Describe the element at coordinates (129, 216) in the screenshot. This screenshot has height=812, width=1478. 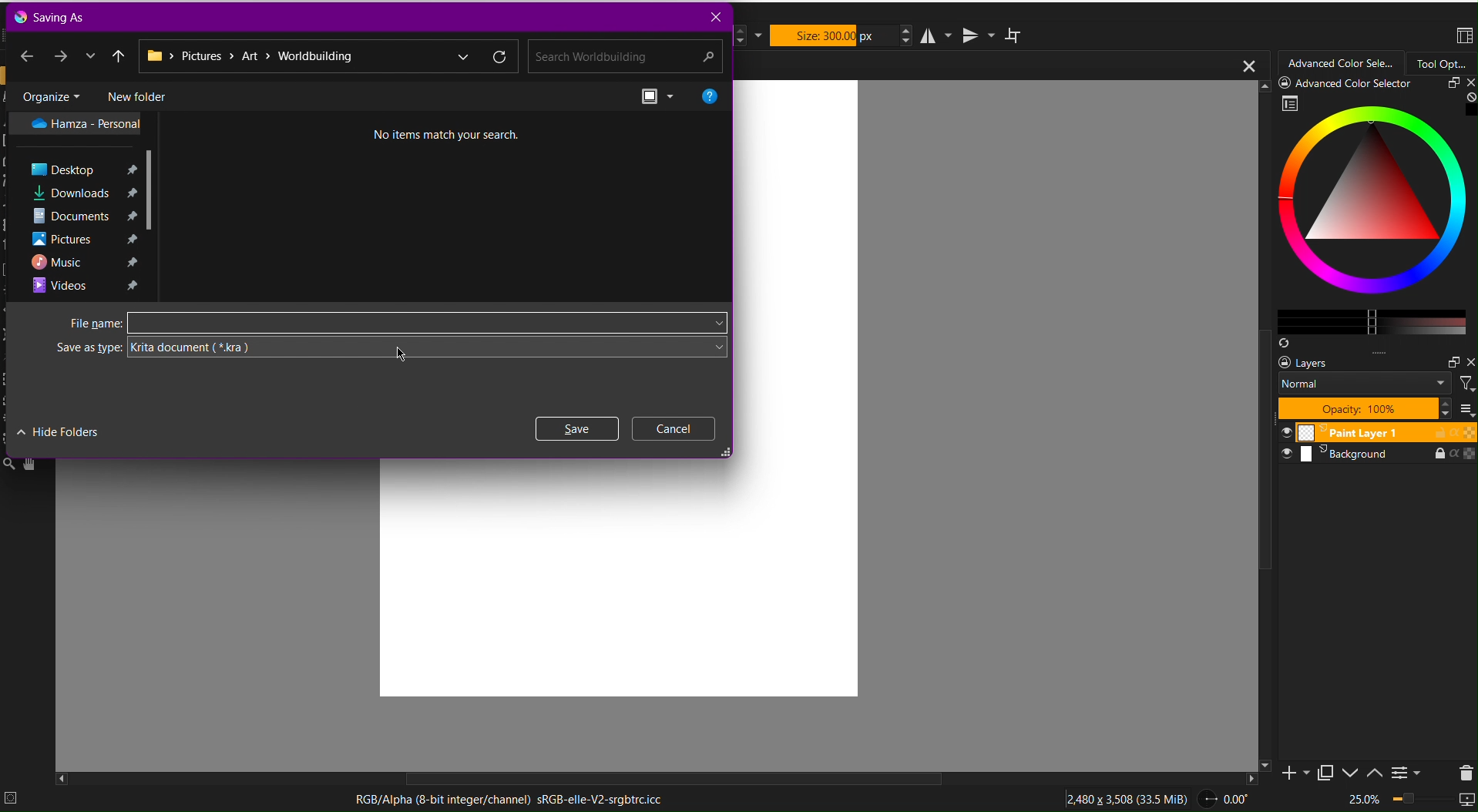
I see `pinned` at that location.